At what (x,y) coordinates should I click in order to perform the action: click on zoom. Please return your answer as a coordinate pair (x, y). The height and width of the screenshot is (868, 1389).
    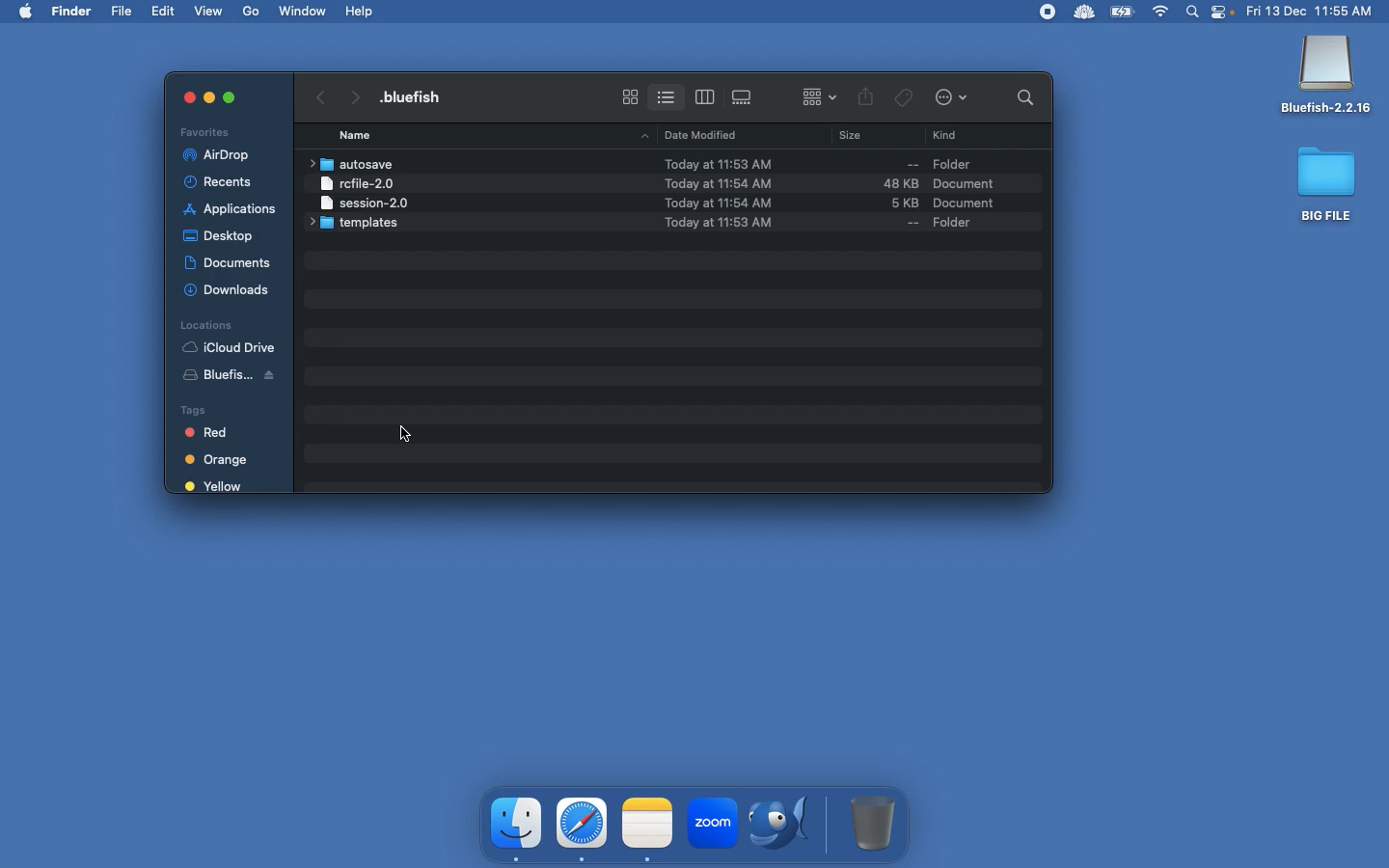
    Looking at the image, I should click on (711, 826).